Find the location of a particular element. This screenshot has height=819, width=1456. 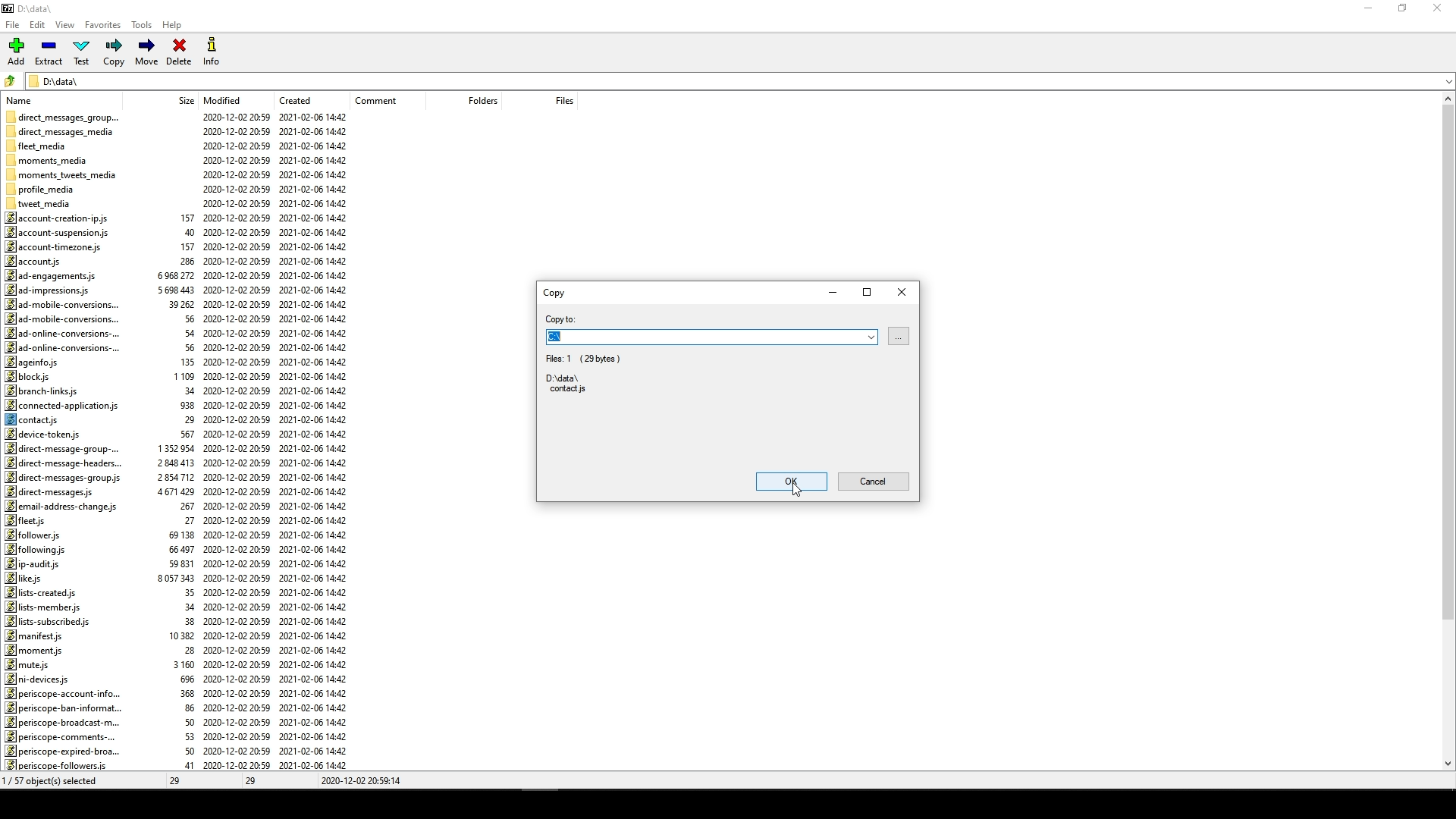

D:\data\
contacts is located at coordinates (565, 383).